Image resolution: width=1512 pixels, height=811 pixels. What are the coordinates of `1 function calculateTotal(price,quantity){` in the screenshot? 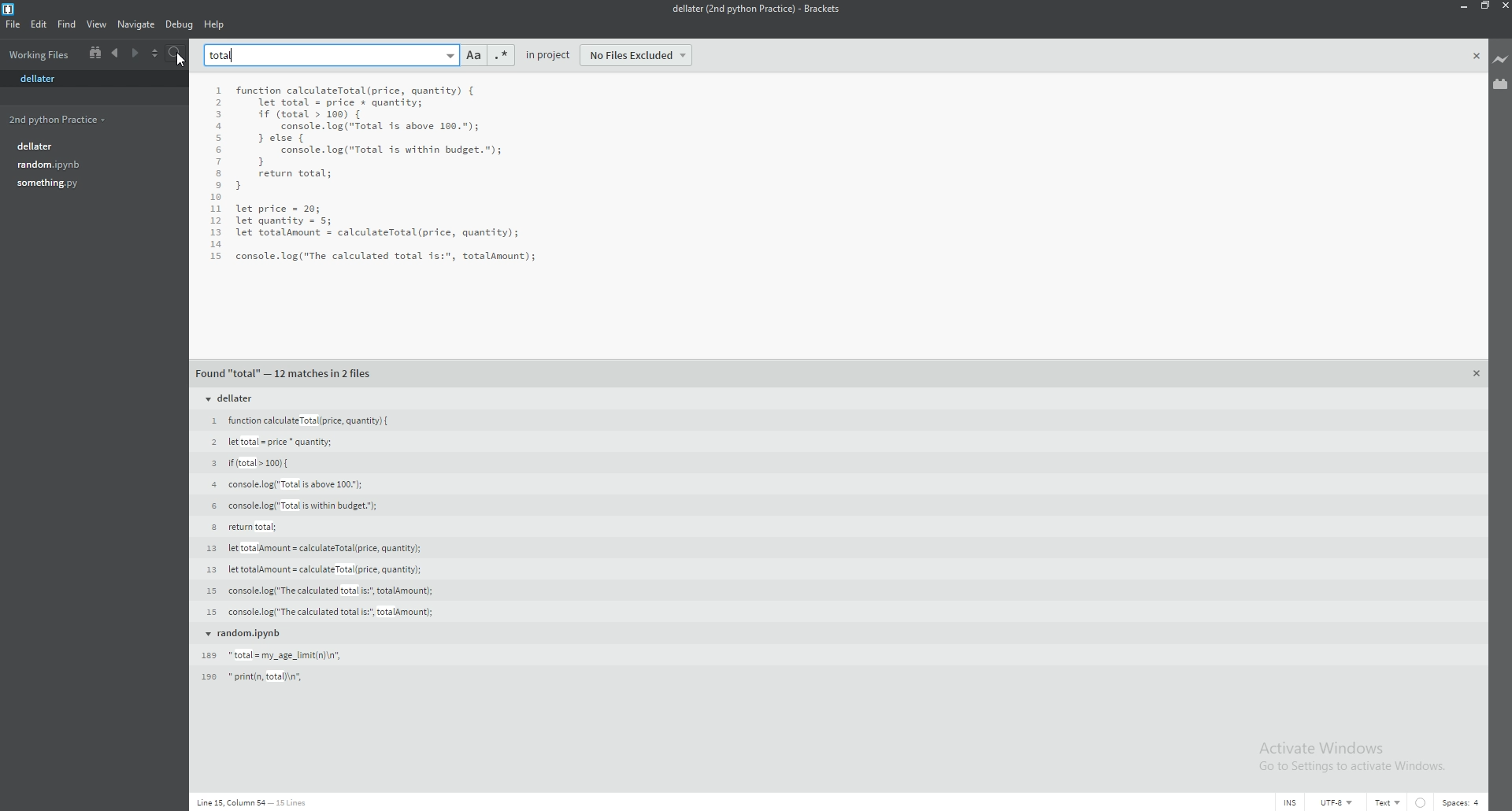 It's located at (303, 420).